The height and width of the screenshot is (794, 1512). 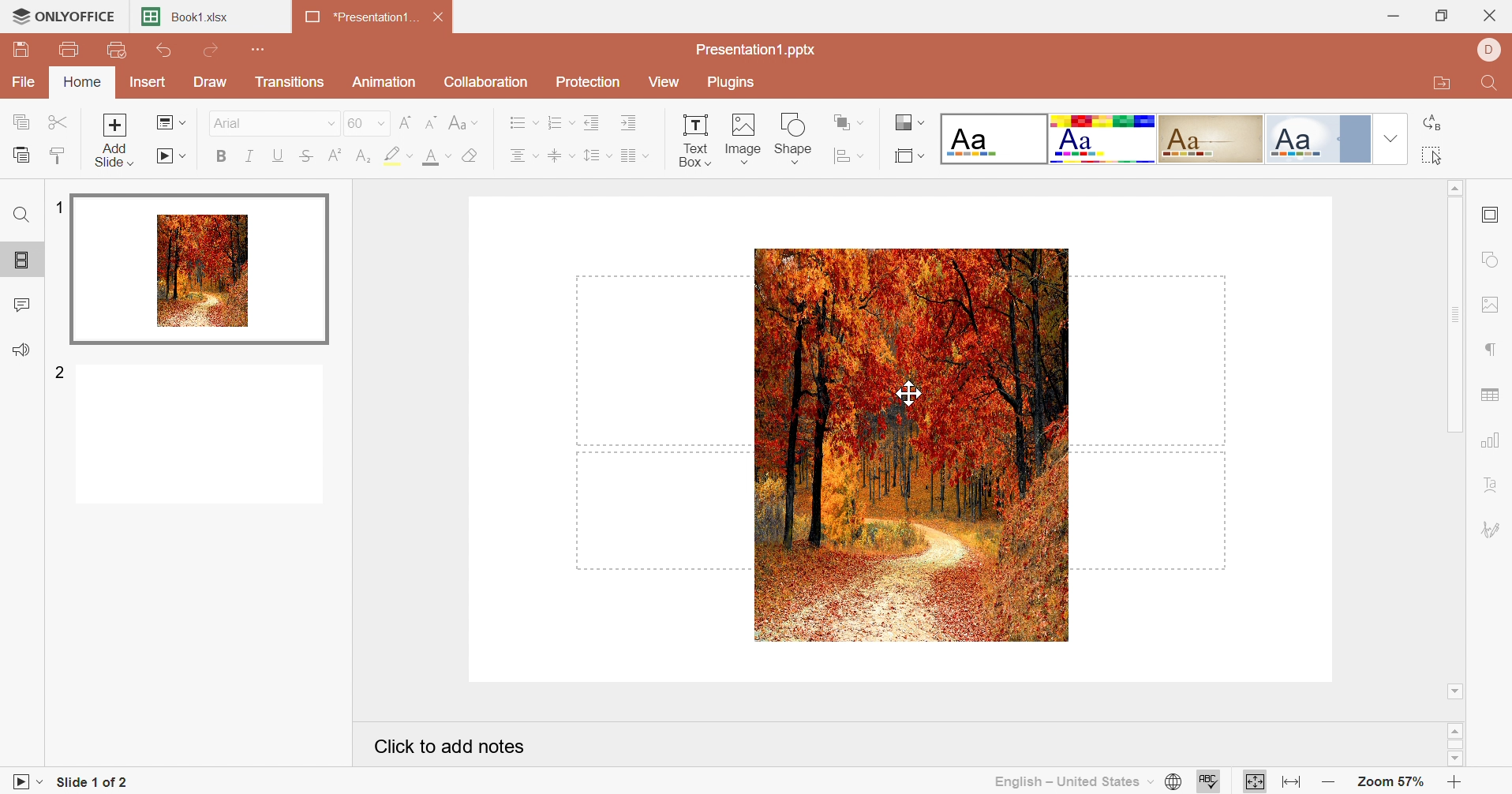 What do you see at coordinates (907, 157) in the screenshot?
I see `Select slide size` at bounding box center [907, 157].